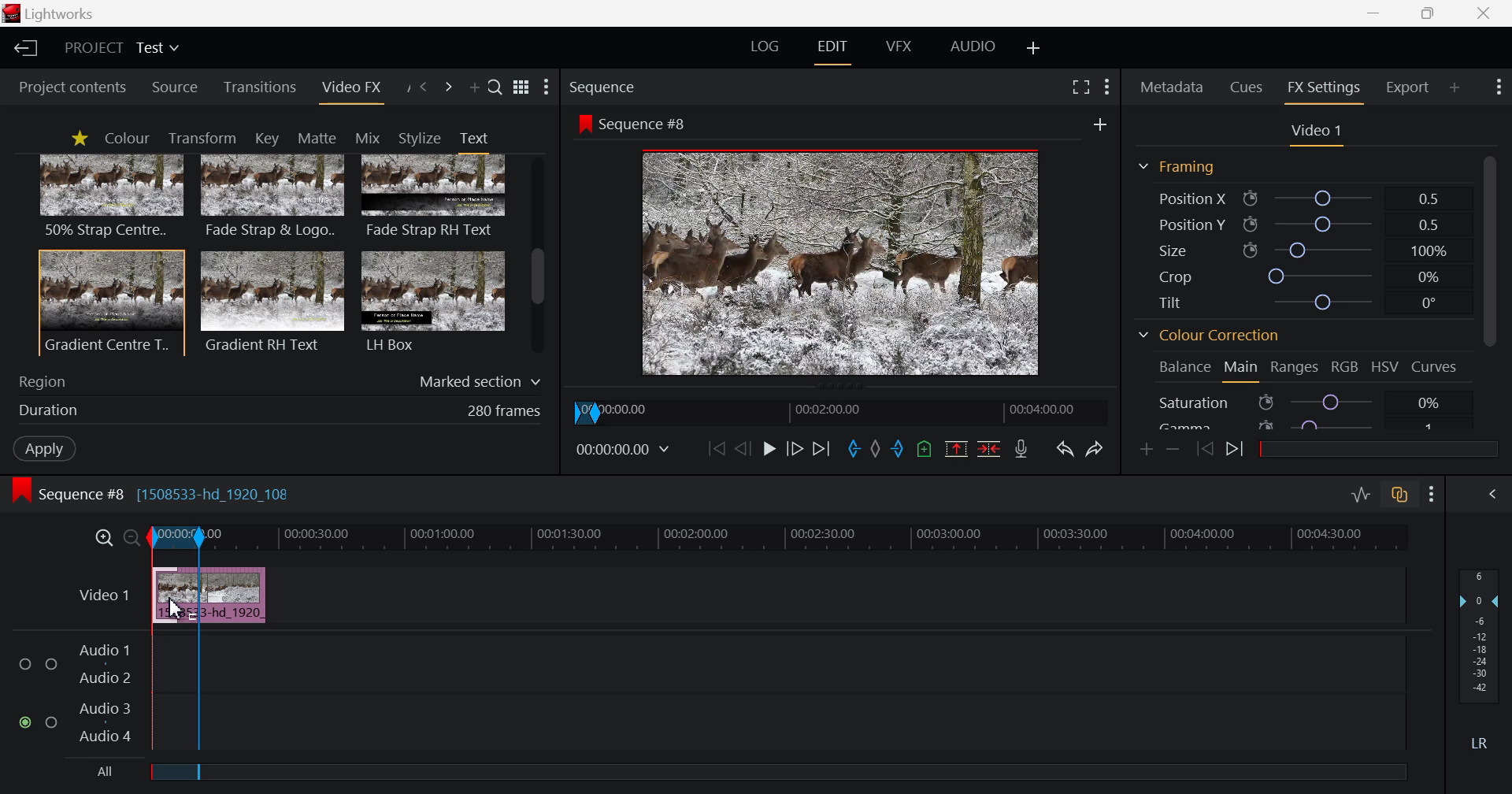 This screenshot has height=794, width=1512. I want to click on Matte, so click(316, 137).